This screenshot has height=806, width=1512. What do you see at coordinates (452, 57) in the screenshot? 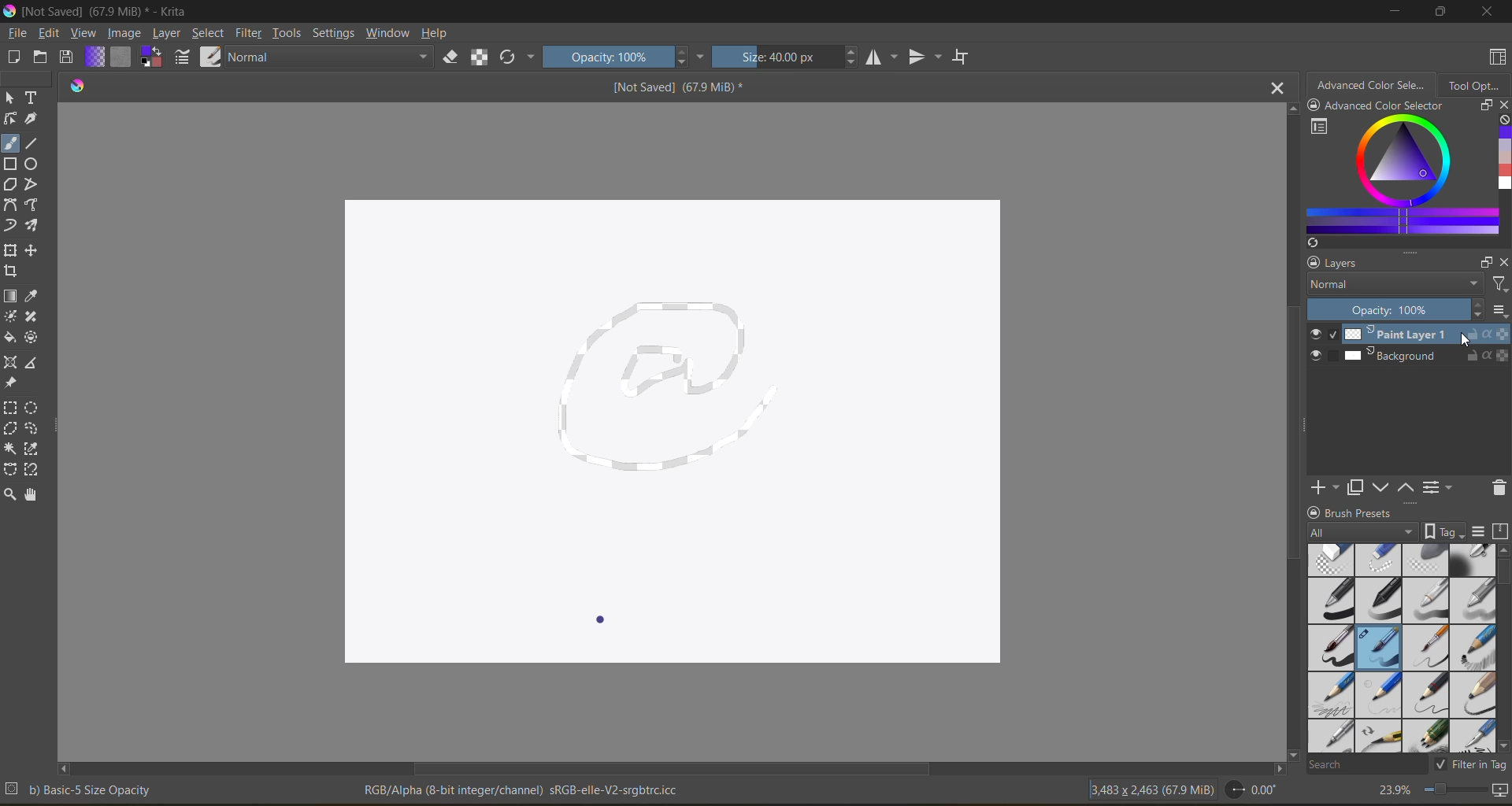
I see `set eraser mode` at bounding box center [452, 57].